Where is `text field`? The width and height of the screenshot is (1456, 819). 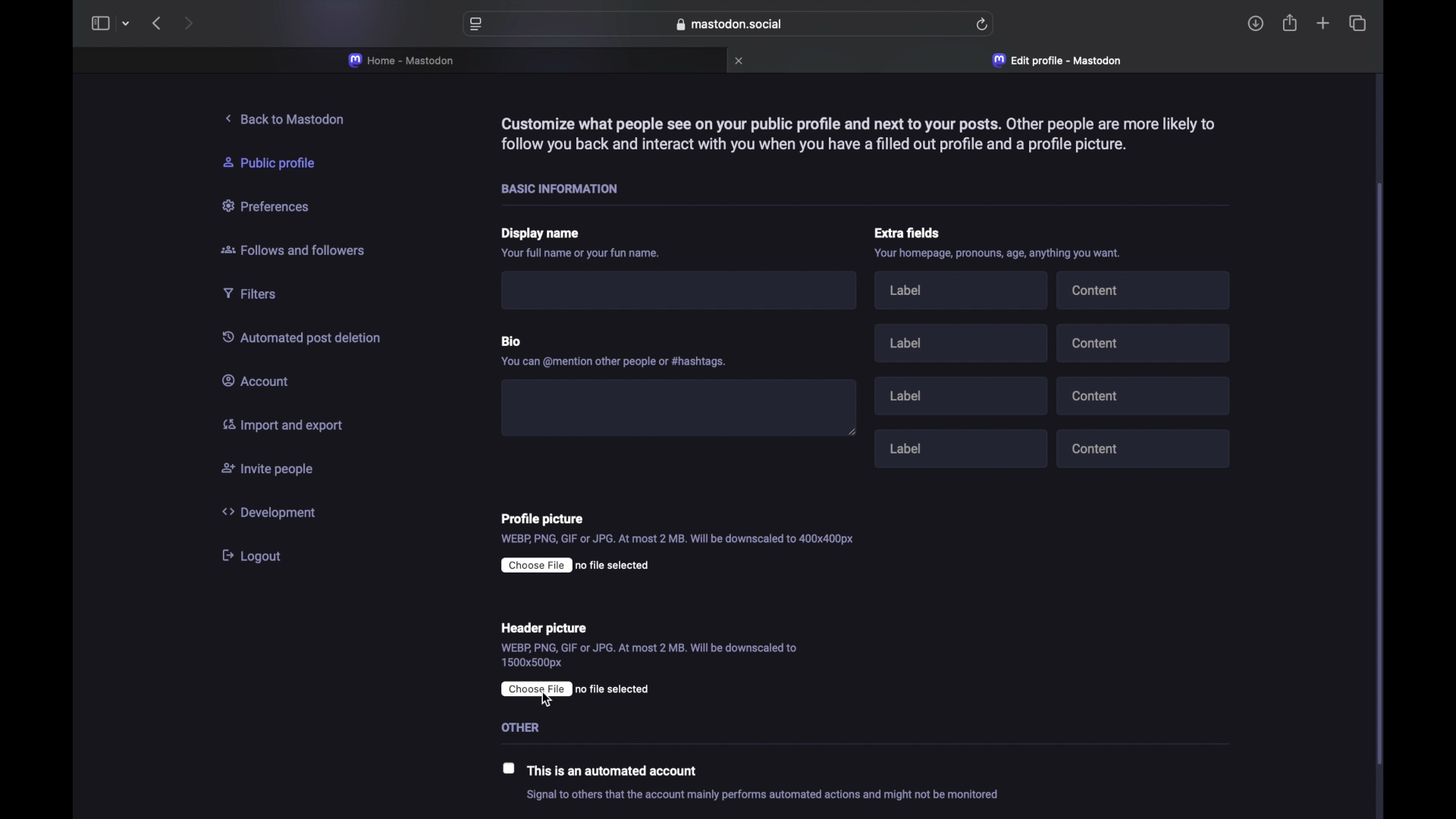 text field is located at coordinates (686, 292).